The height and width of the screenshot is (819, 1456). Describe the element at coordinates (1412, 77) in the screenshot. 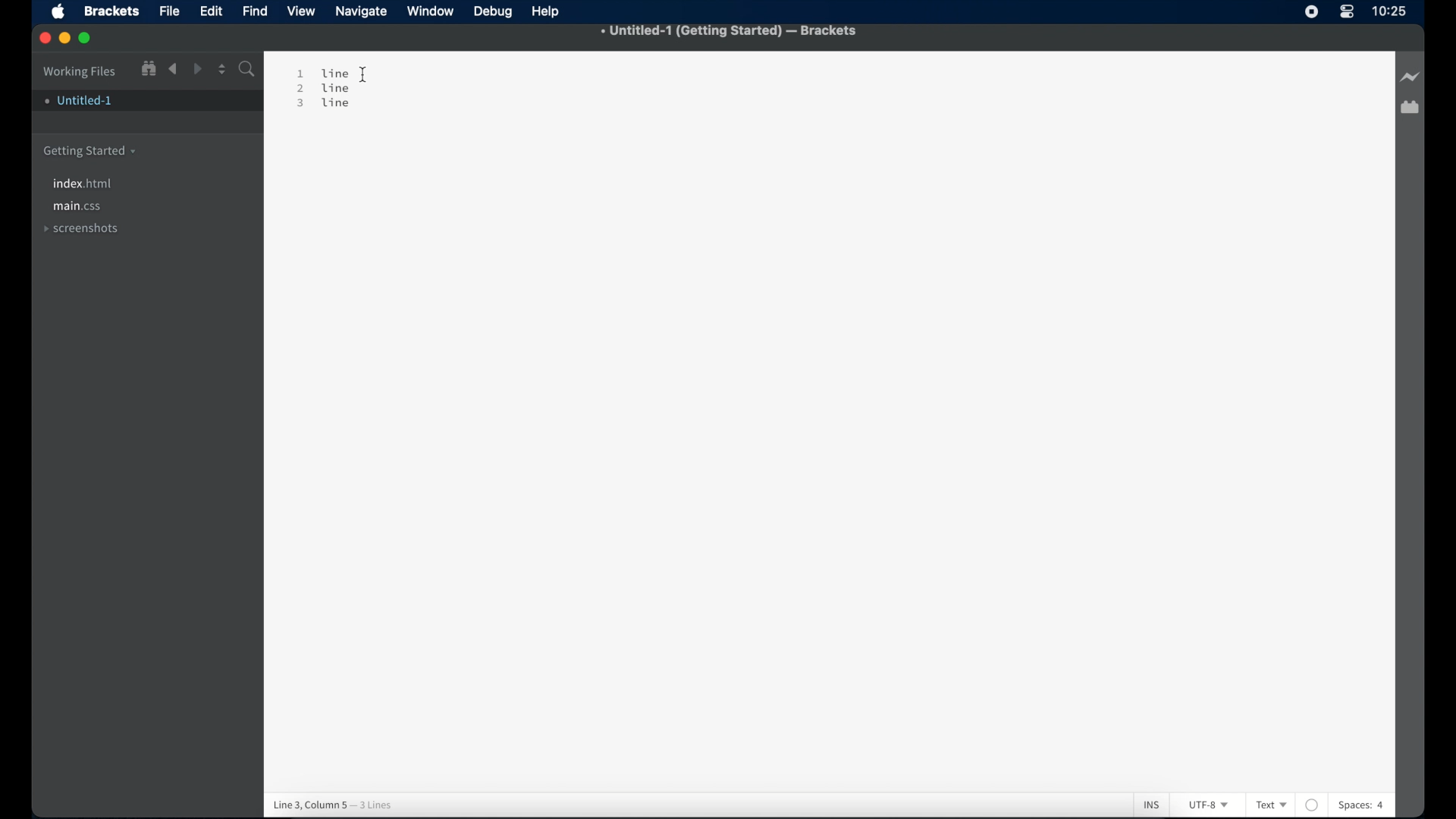

I see `live preview` at that location.